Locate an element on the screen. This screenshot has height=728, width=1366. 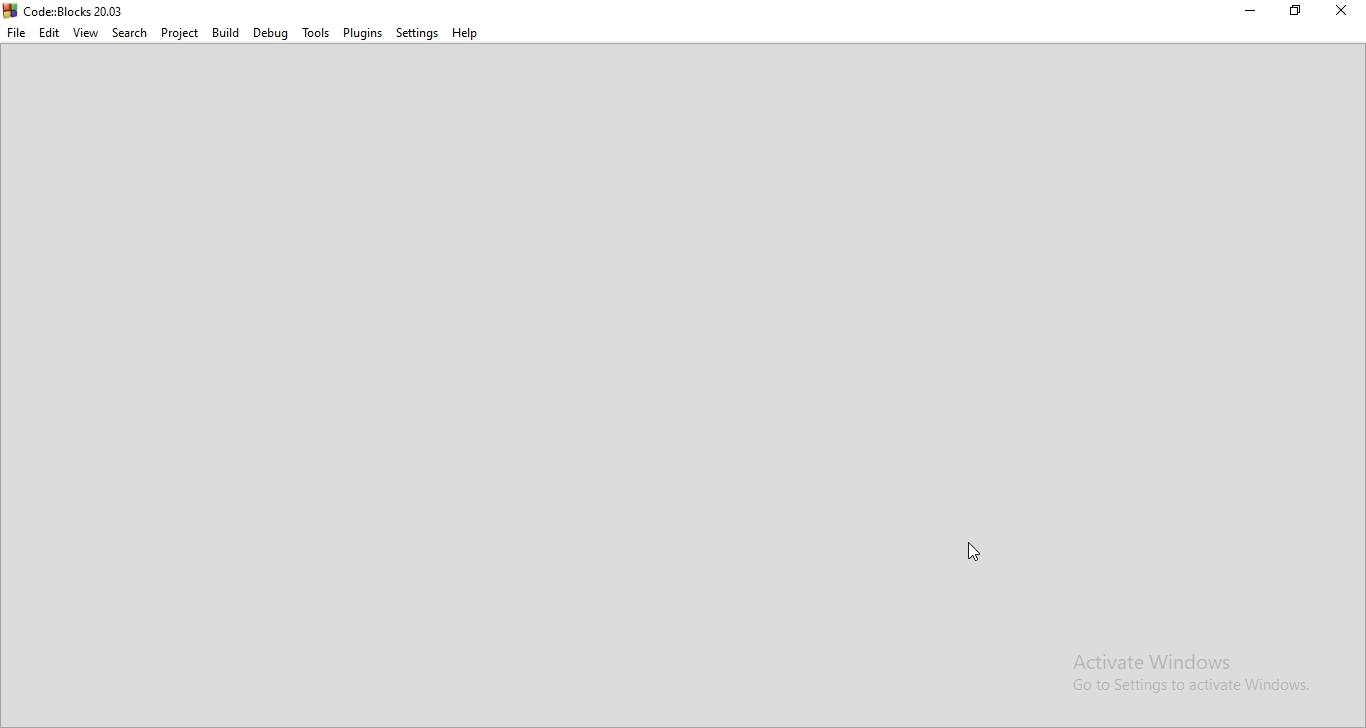
Restore is located at coordinates (1292, 11).